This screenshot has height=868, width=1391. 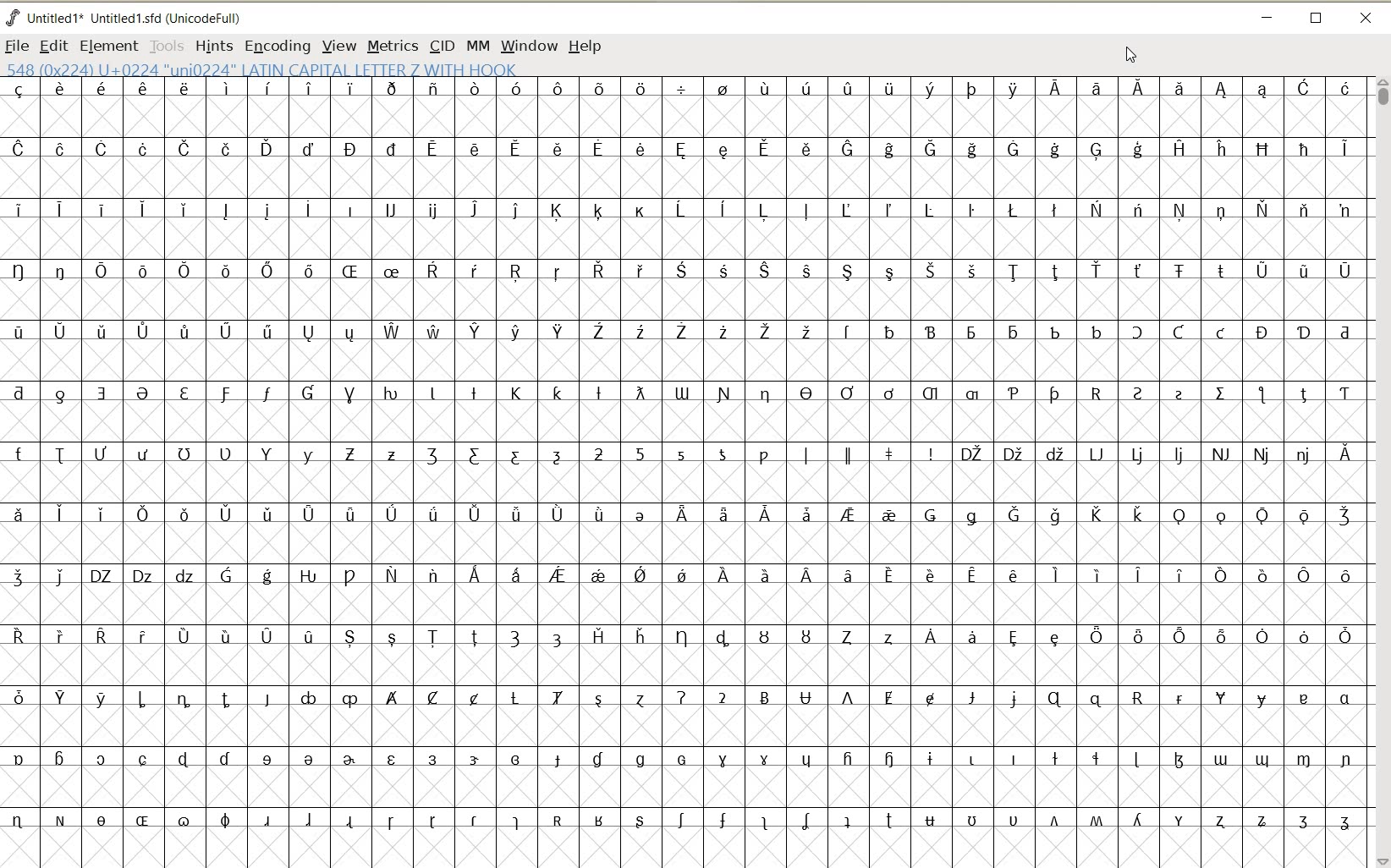 What do you see at coordinates (277, 47) in the screenshot?
I see `ENCODING` at bounding box center [277, 47].